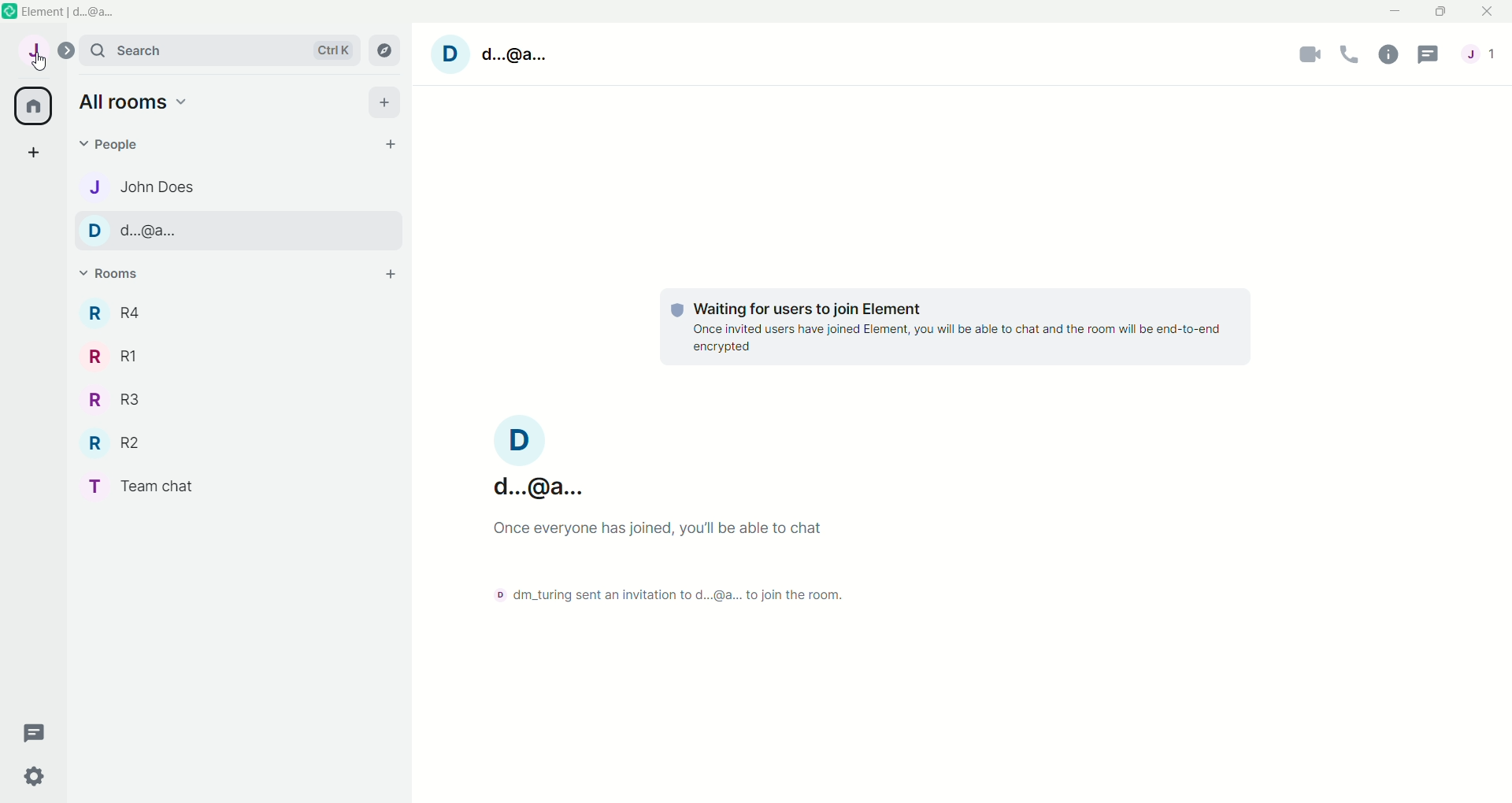 The height and width of the screenshot is (803, 1512). I want to click on Rooms, so click(115, 274).